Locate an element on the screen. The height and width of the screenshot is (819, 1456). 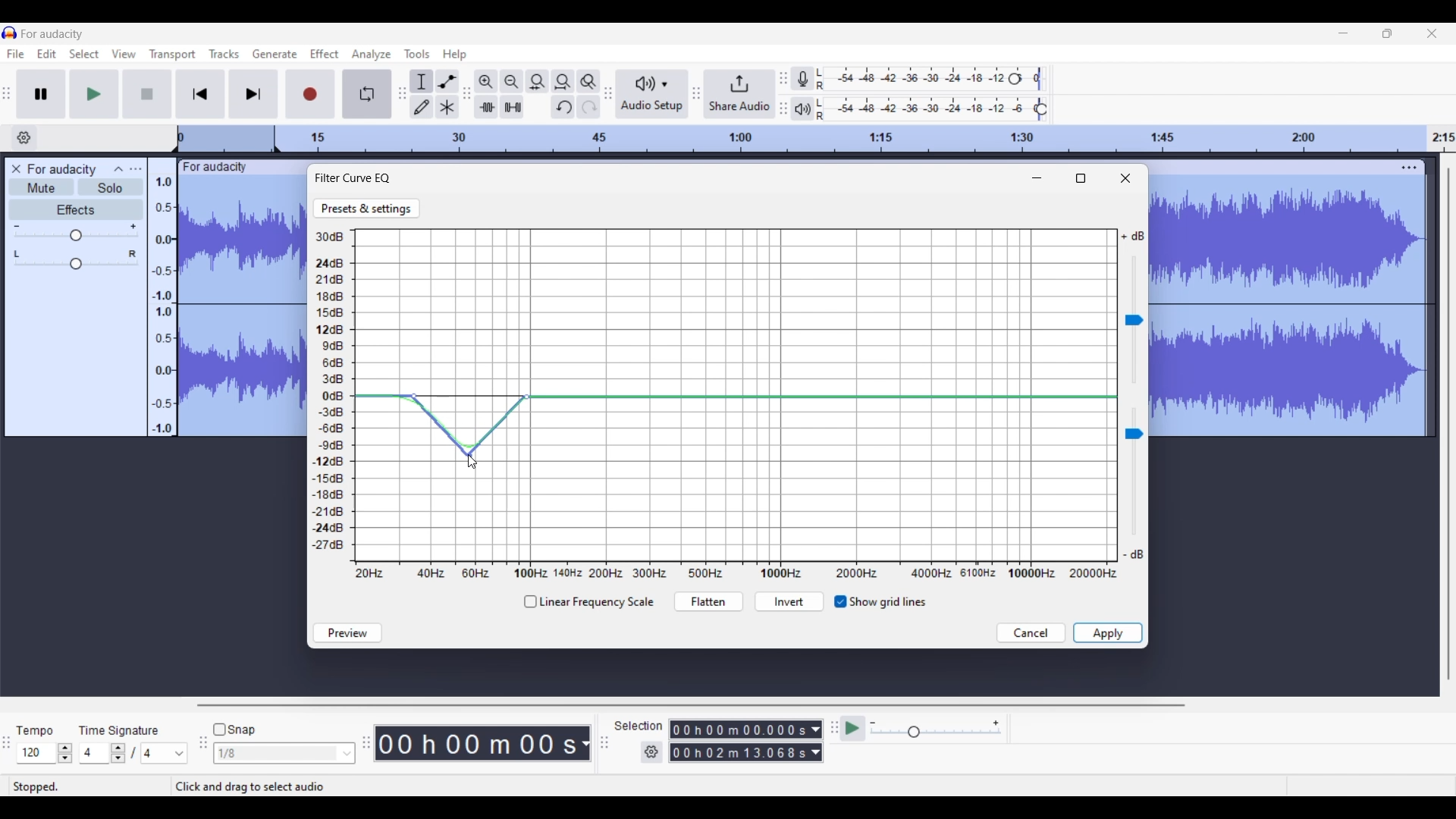
Invert is located at coordinates (789, 603).